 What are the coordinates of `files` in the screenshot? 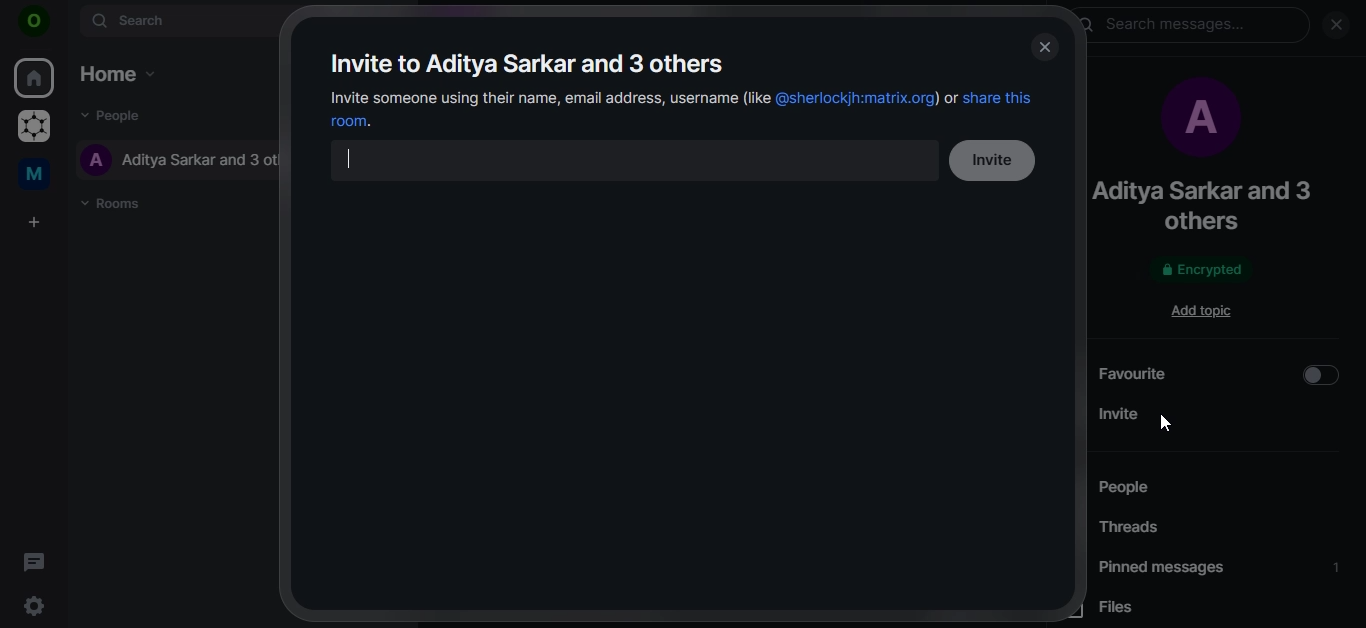 It's located at (1133, 610).